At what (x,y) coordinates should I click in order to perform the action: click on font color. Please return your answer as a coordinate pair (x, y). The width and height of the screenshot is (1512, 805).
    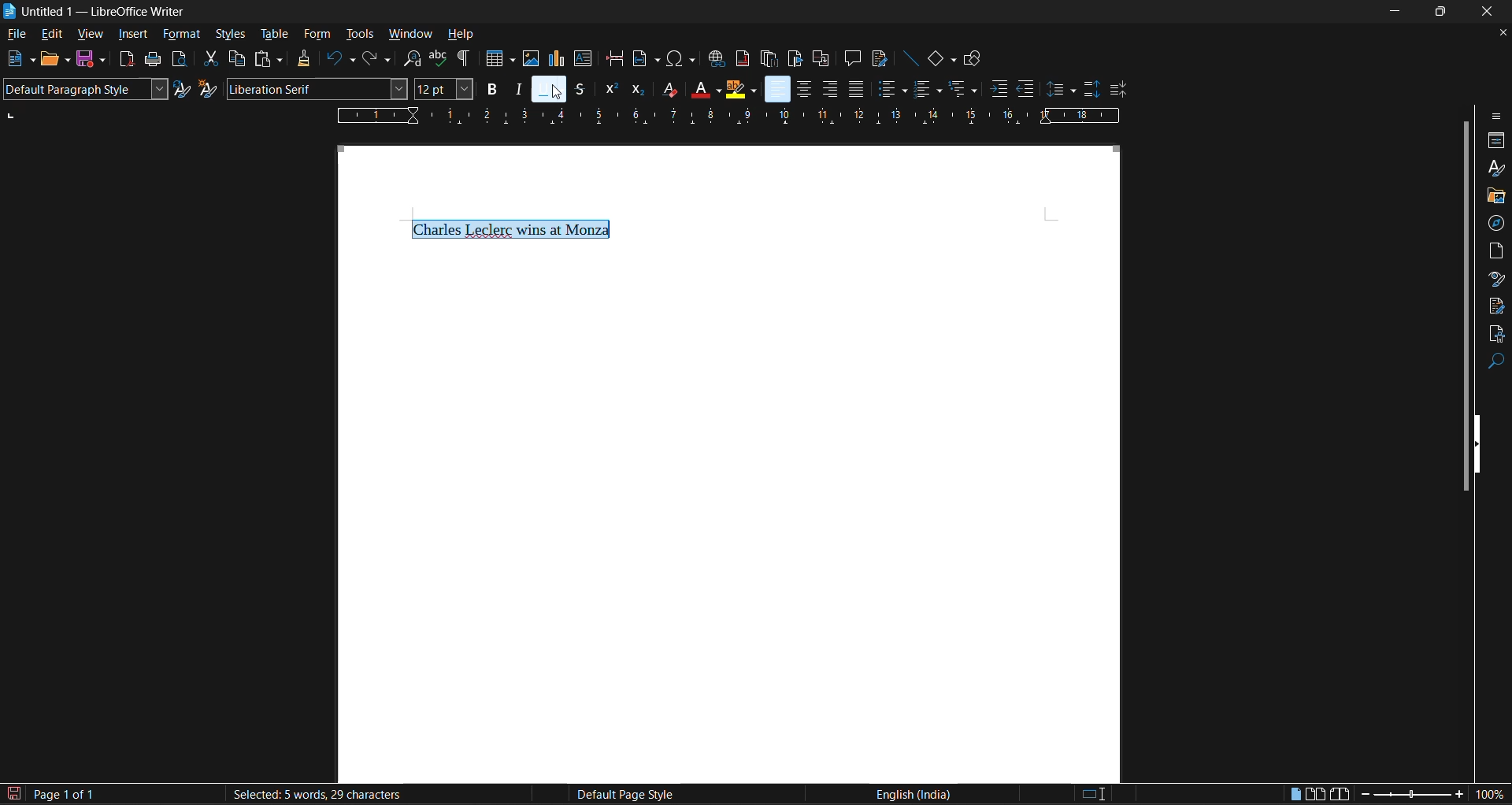
    Looking at the image, I should click on (702, 88).